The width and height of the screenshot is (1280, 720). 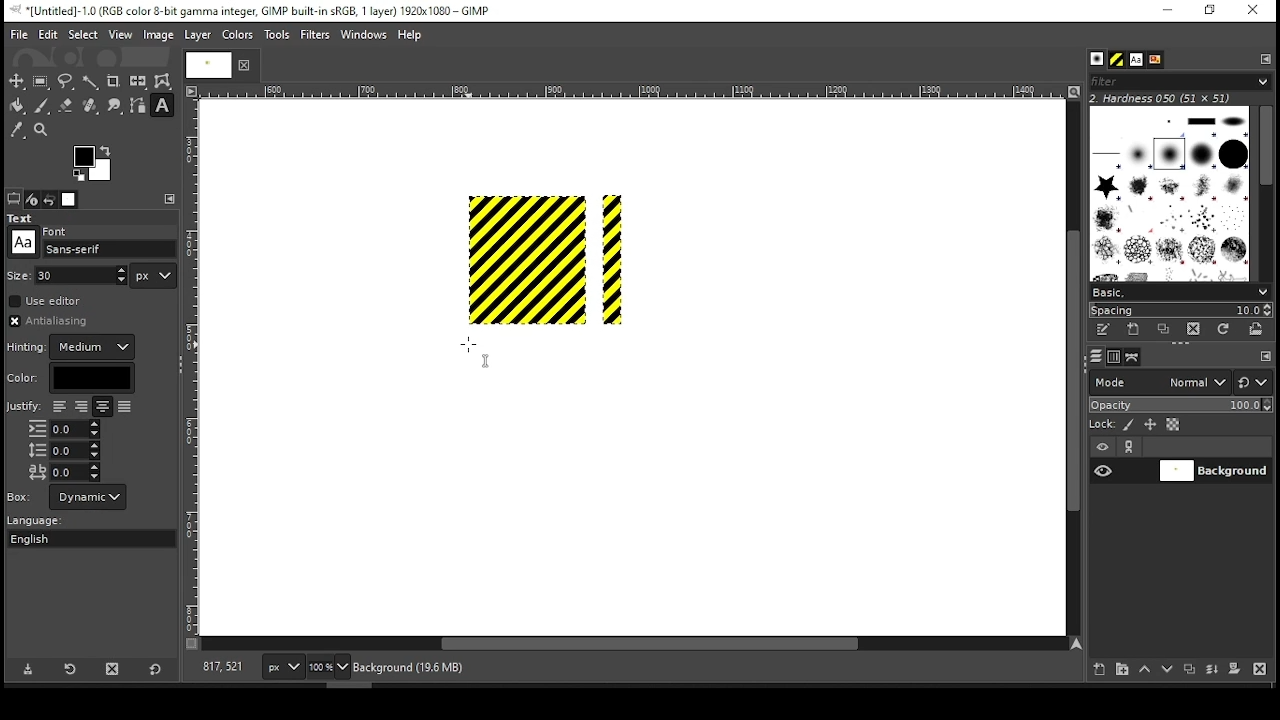 What do you see at coordinates (1097, 60) in the screenshot?
I see `brushes` at bounding box center [1097, 60].